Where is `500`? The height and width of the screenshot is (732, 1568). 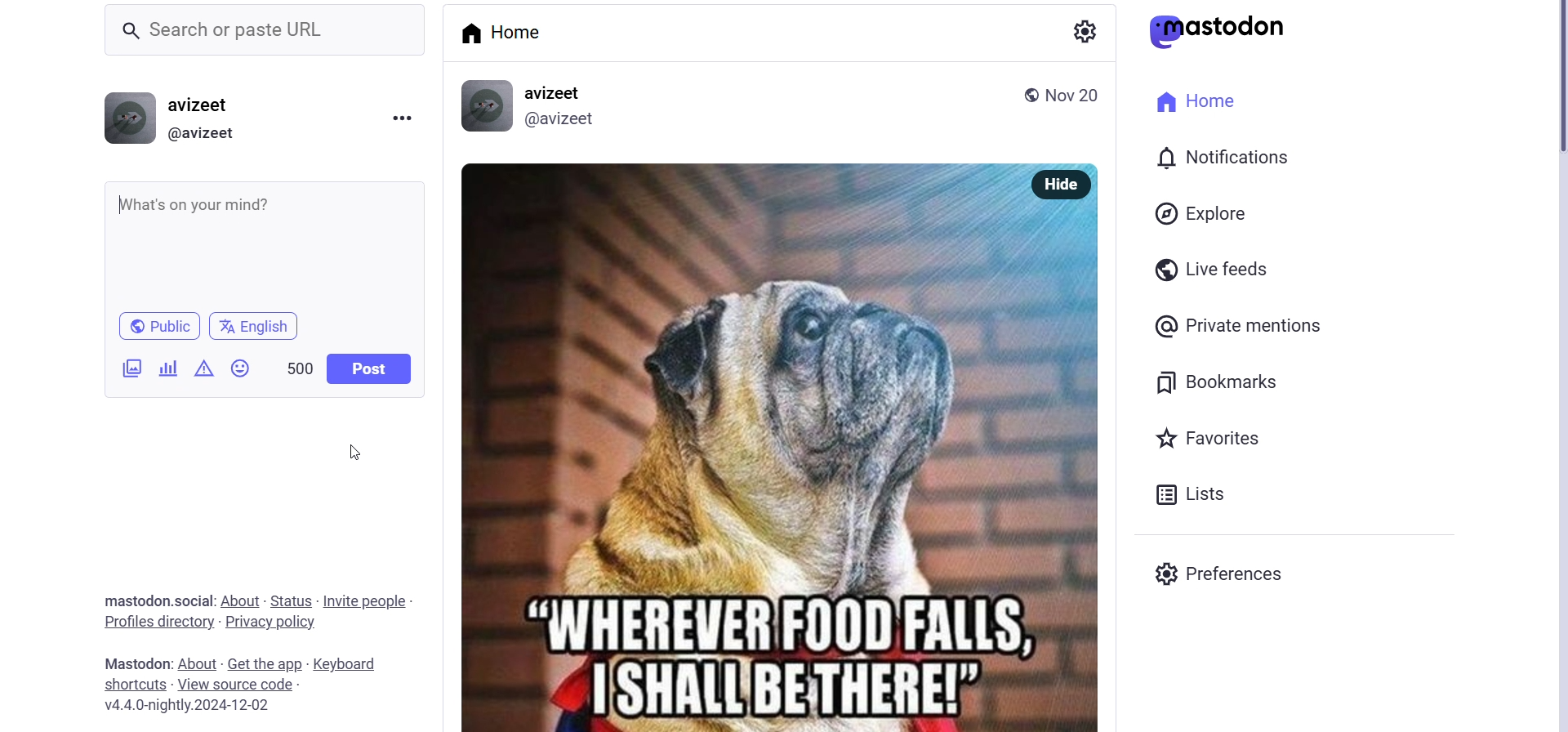
500 is located at coordinates (299, 368).